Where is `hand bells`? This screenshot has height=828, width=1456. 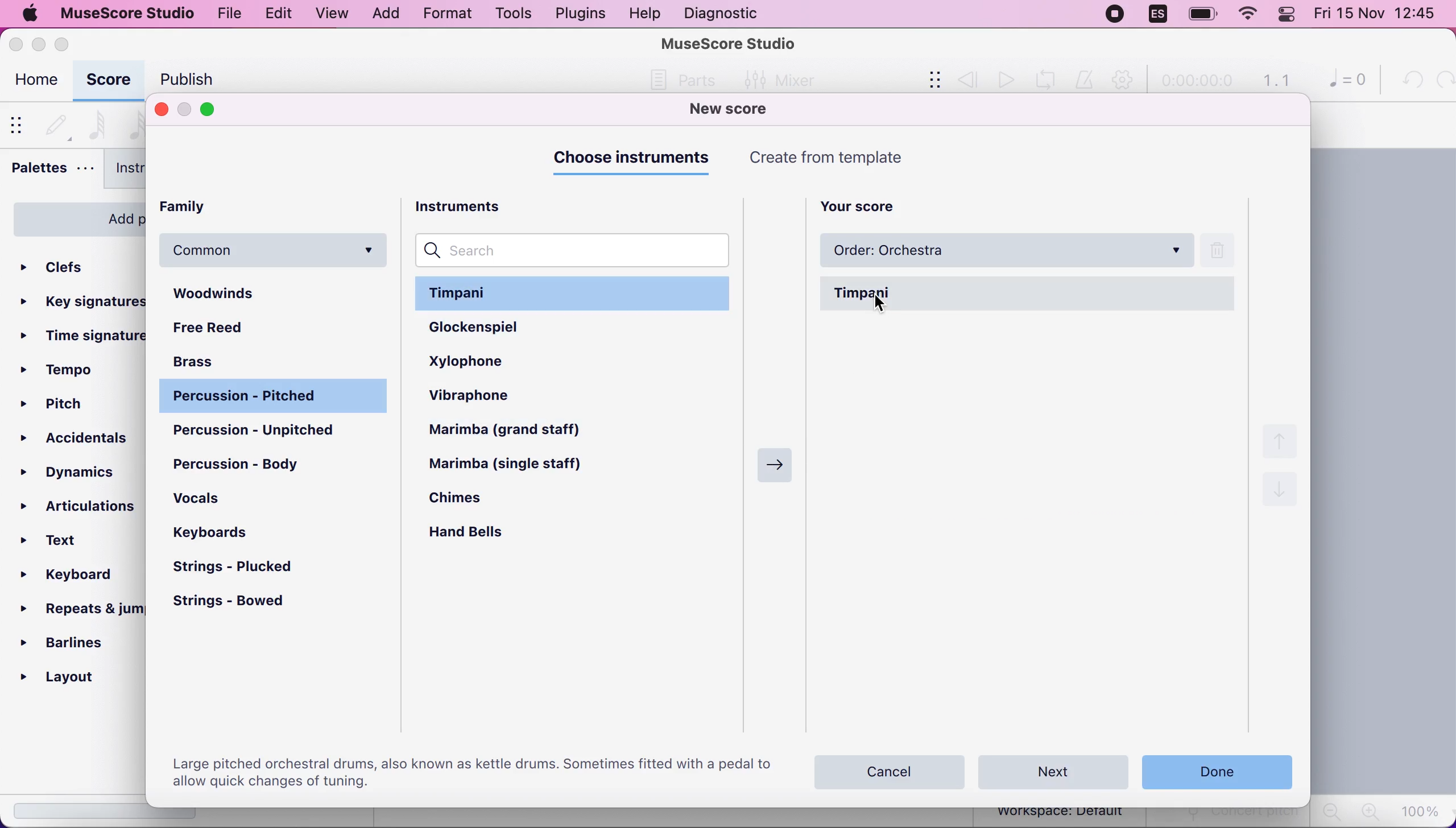 hand bells is located at coordinates (478, 534).